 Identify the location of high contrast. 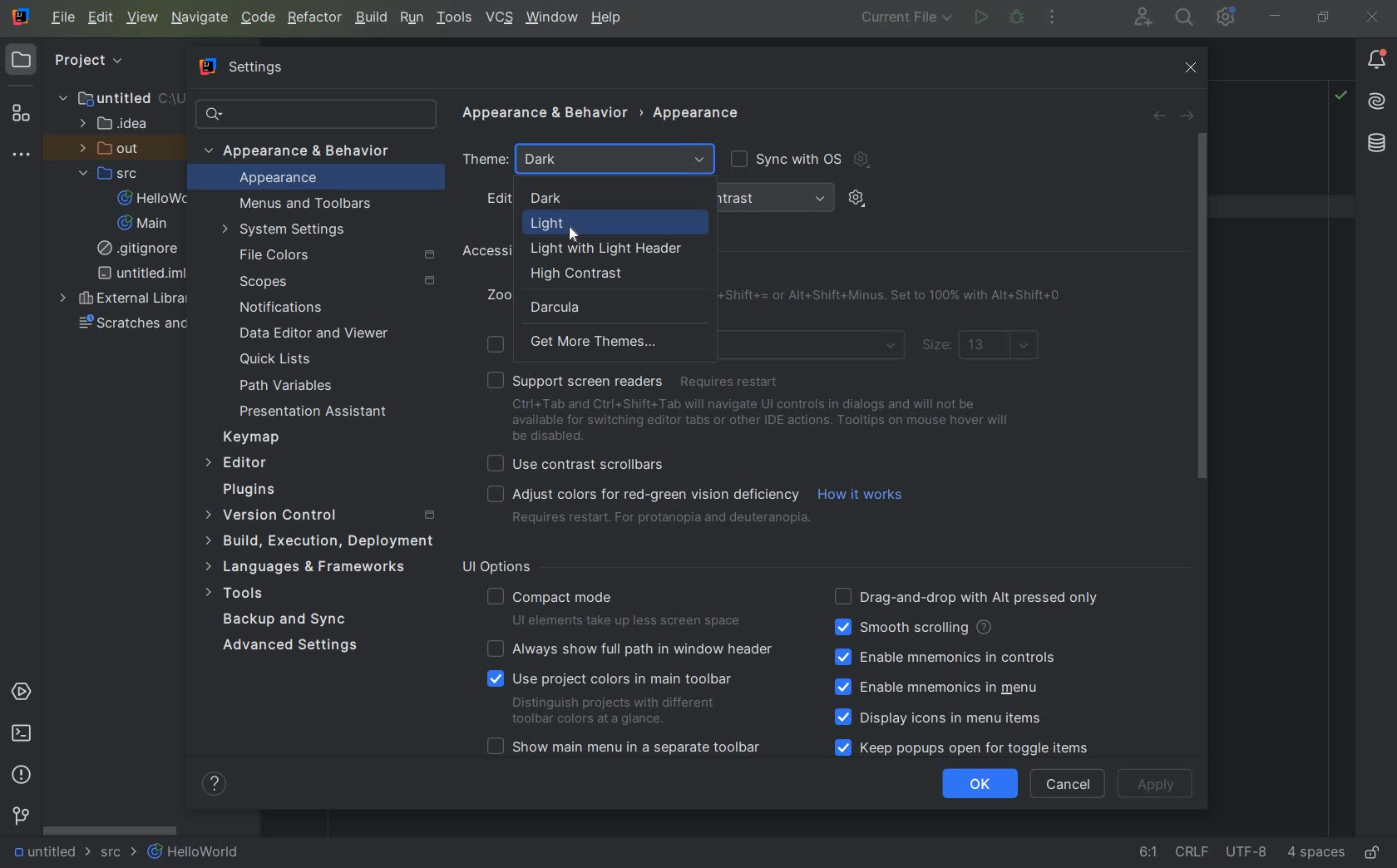
(612, 274).